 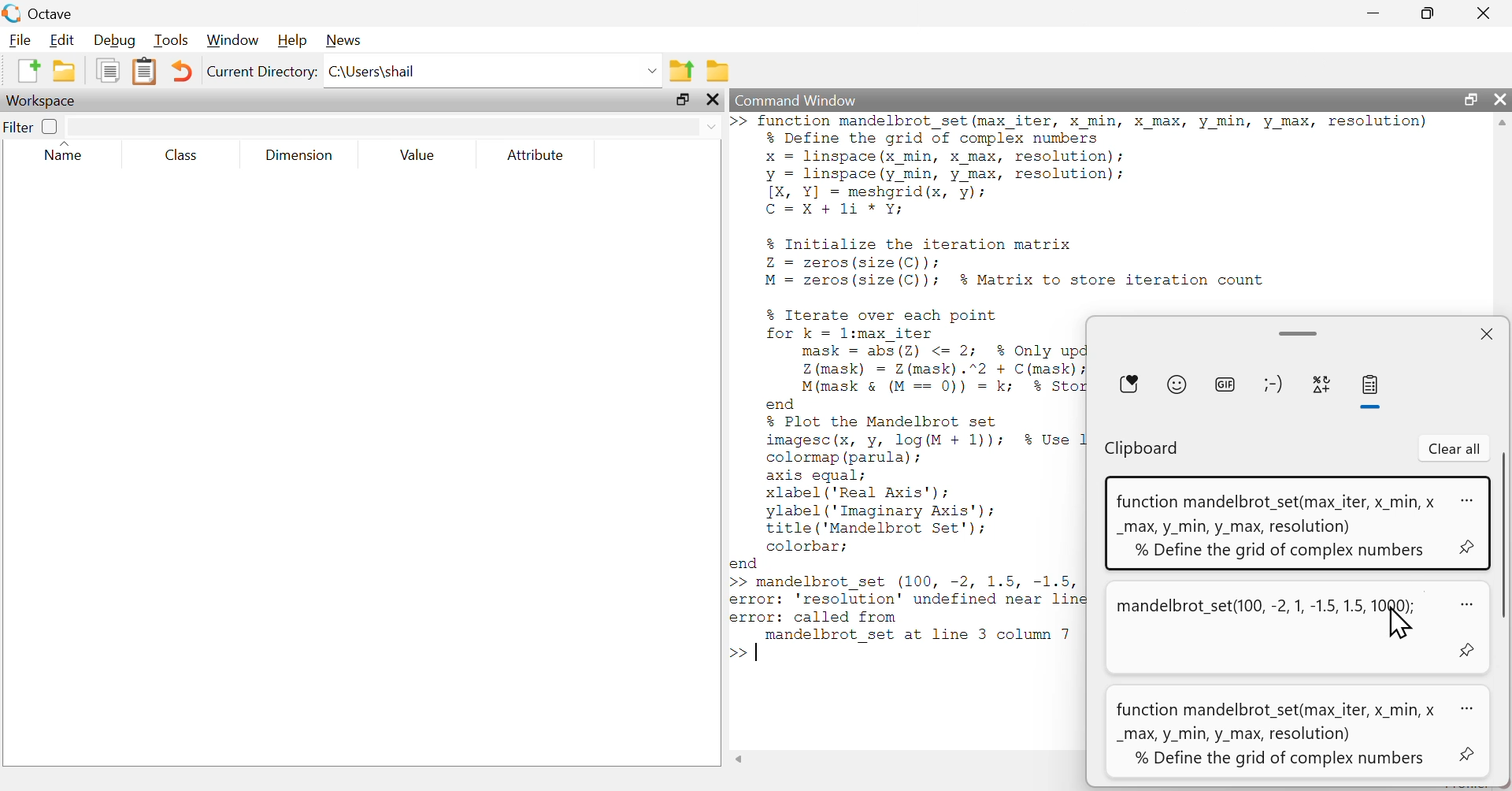 I want to click on Name, so click(x=71, y=153).